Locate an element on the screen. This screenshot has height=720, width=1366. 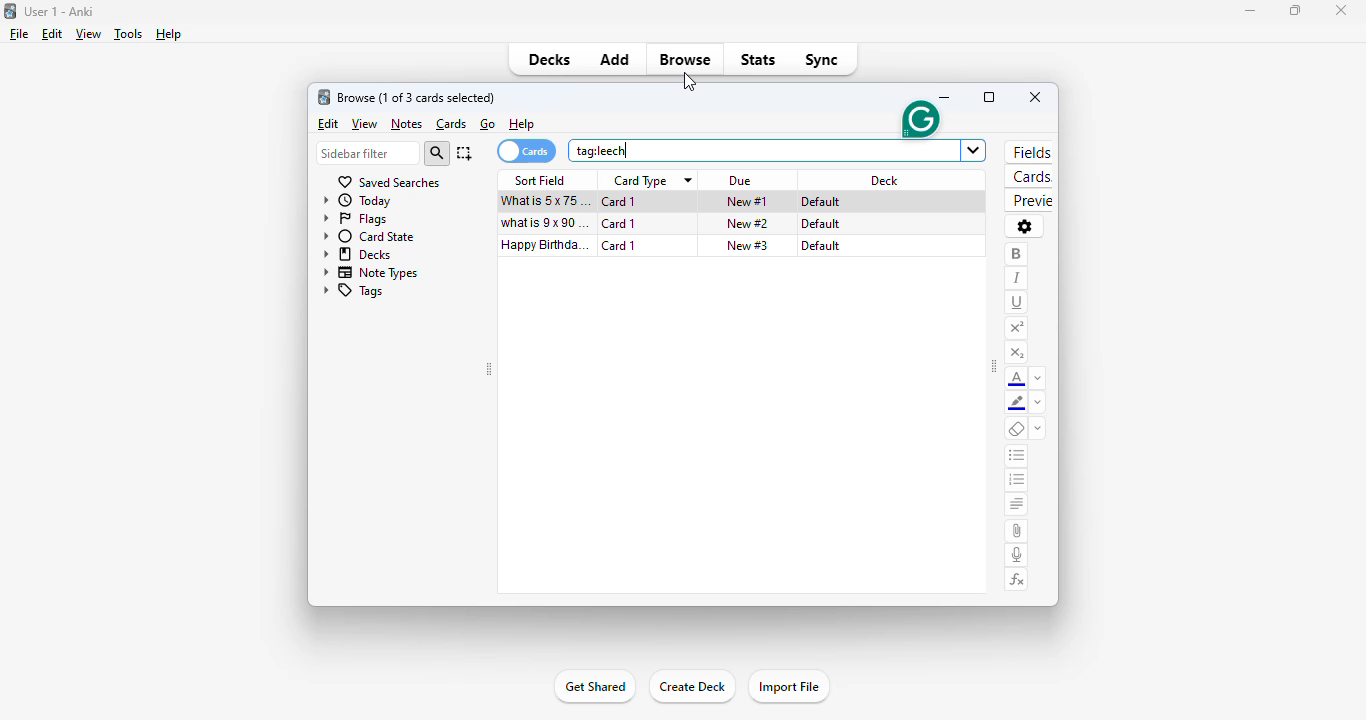
default is located at coordinates (820, 202).